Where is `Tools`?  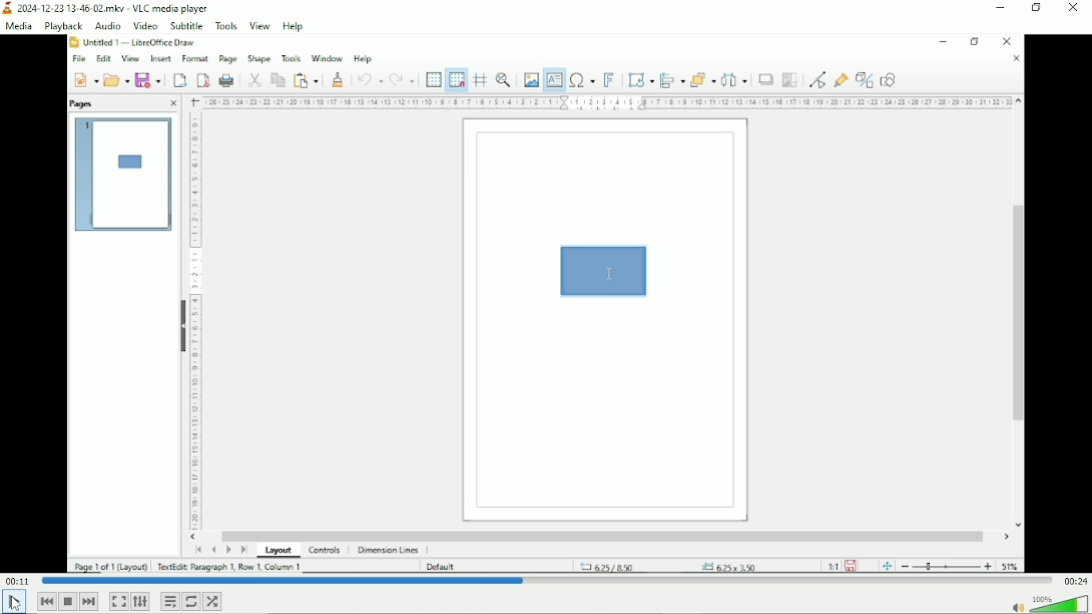
Tools is located at coordinates (227, 27).